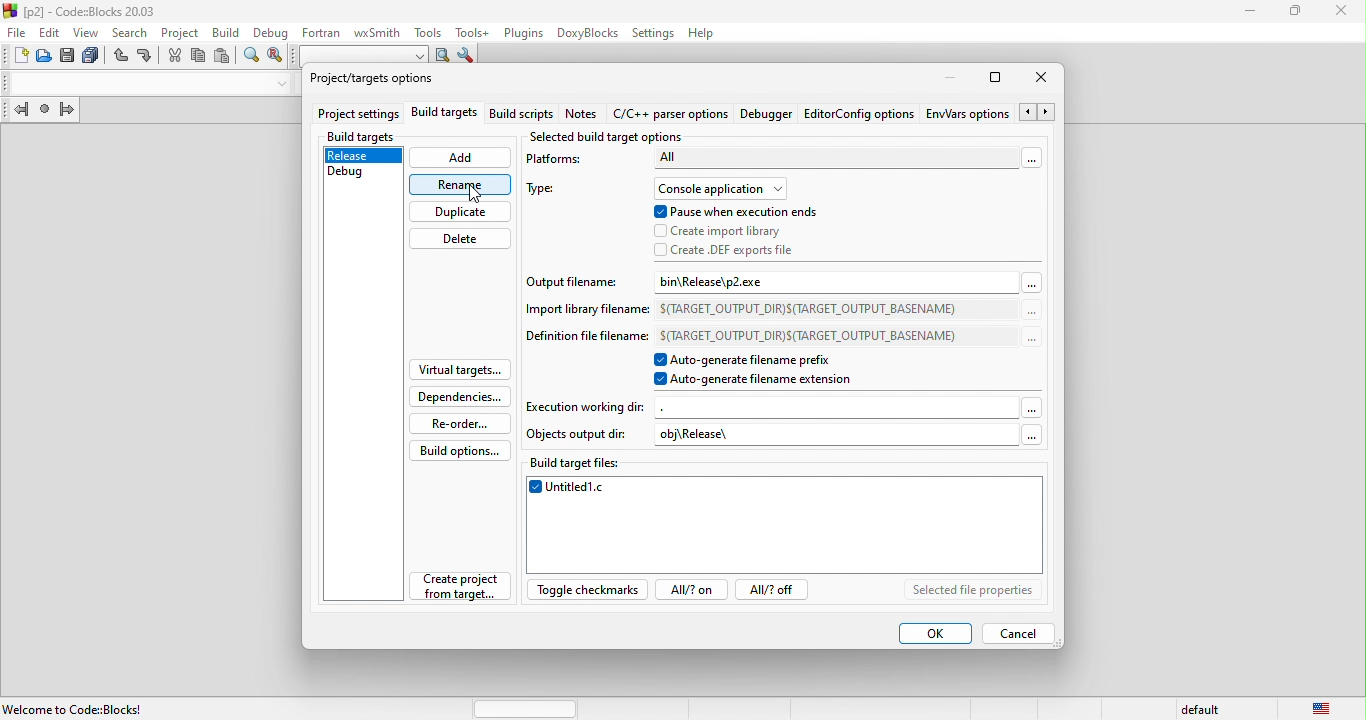  What do you see at coordinates (724, 232) in the screenshot?
I see `create import library` at bounding box center [724, 232].